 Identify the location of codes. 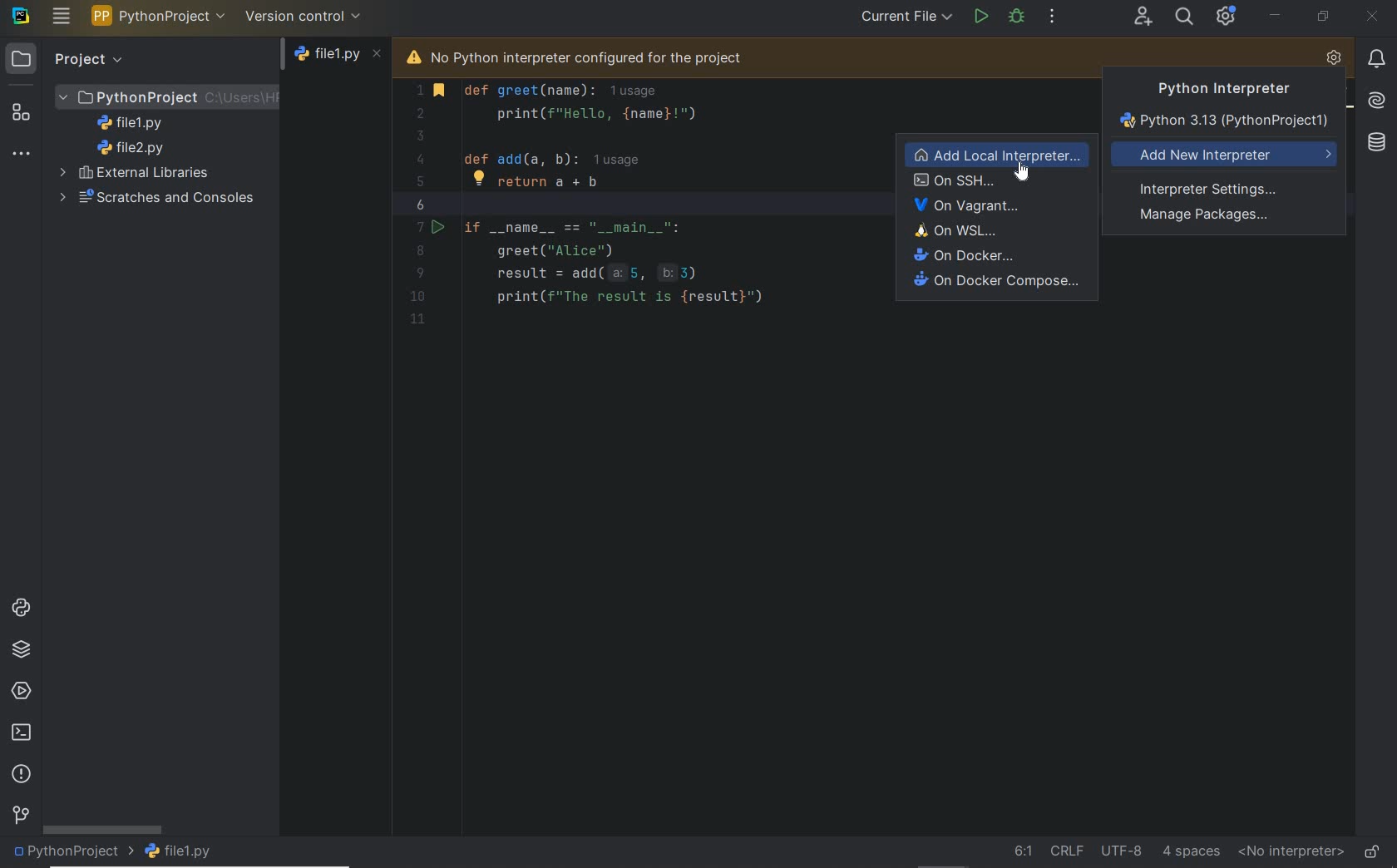
(629, 229).